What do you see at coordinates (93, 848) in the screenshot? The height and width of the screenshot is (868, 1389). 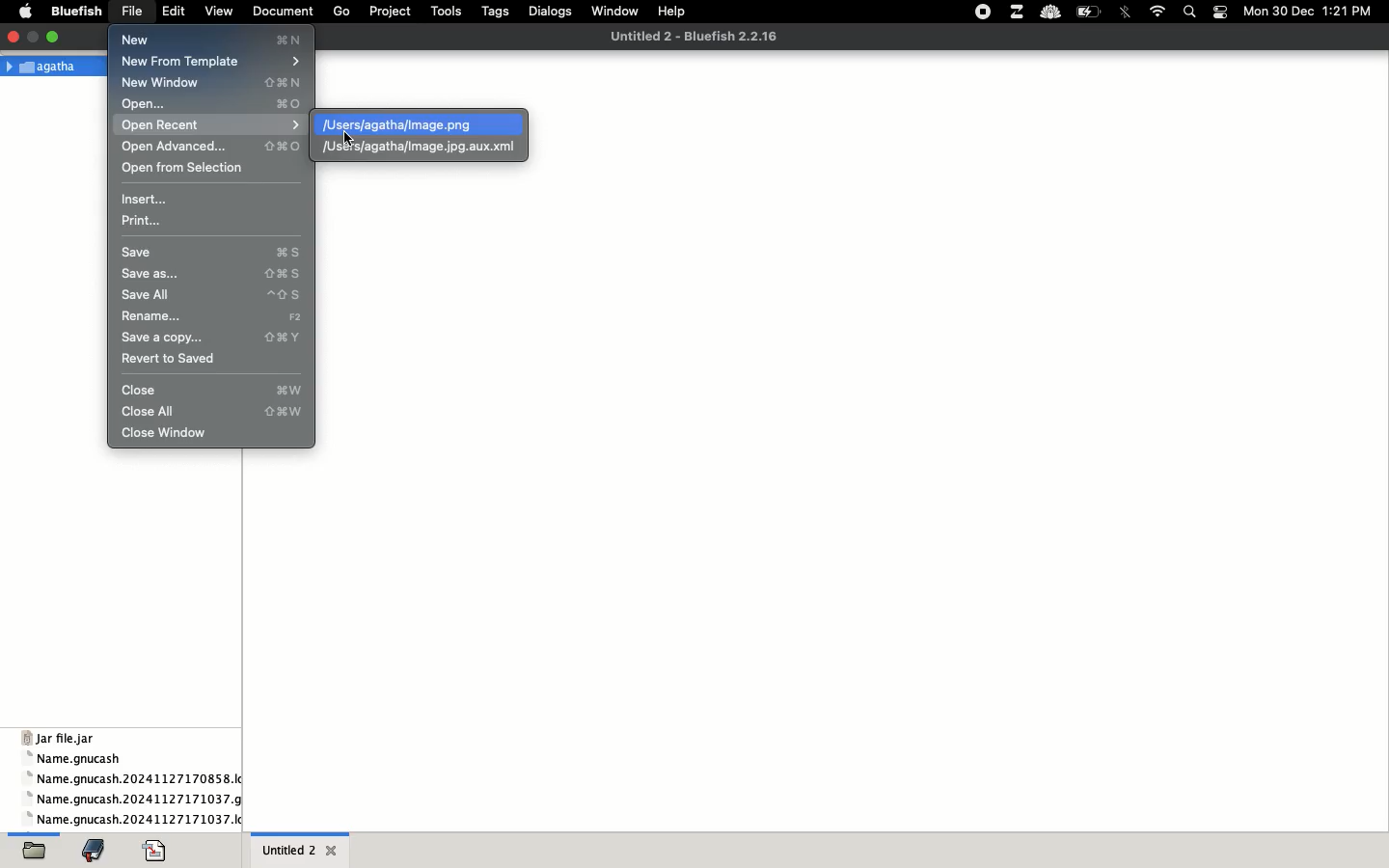 I see `bookmark` at bounding box center [93, 848].